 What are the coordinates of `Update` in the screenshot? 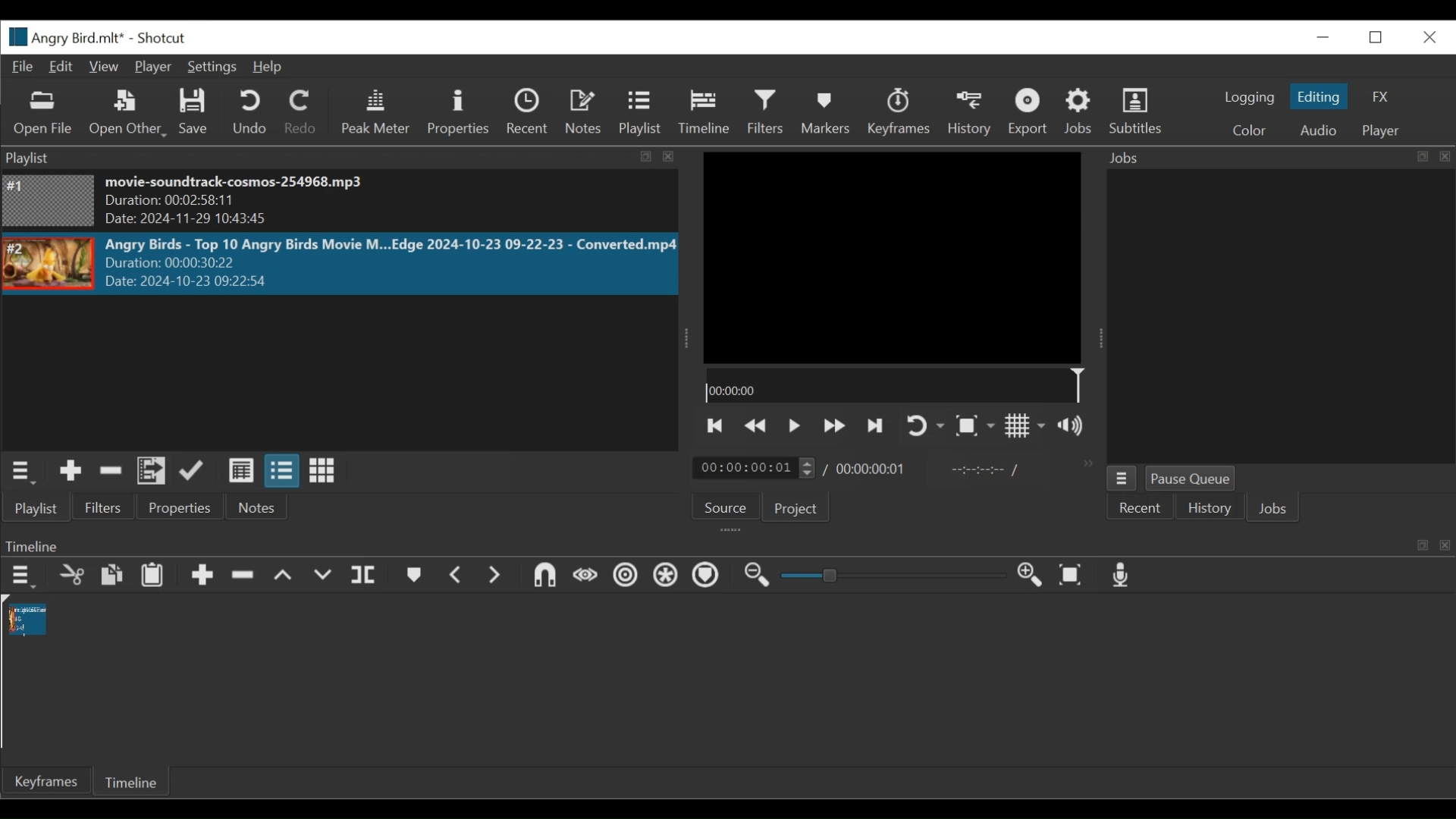 It's located at (196, 471).